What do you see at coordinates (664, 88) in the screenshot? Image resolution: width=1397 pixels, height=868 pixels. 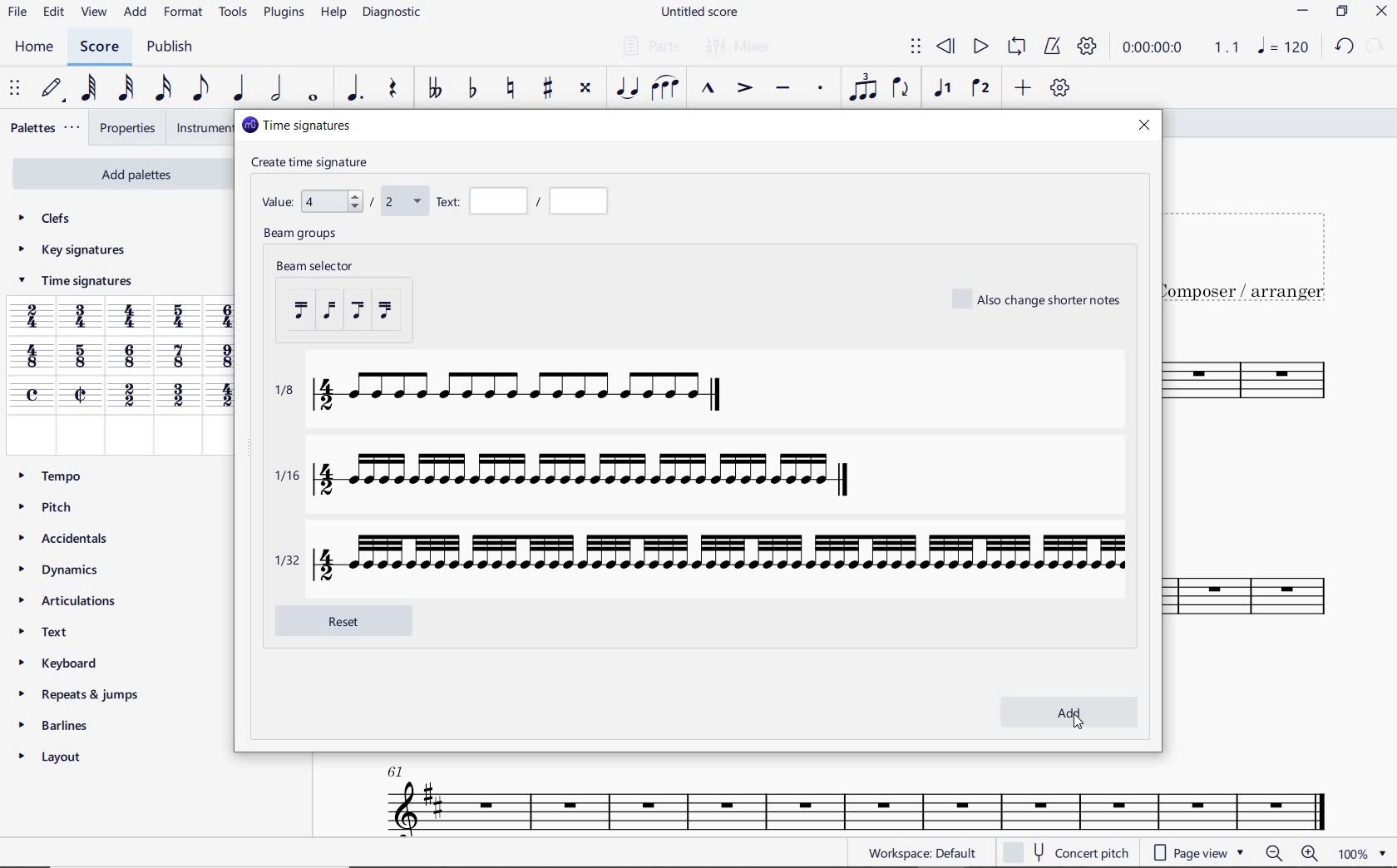 I see `SLUR` at bounding box center [664, 88].